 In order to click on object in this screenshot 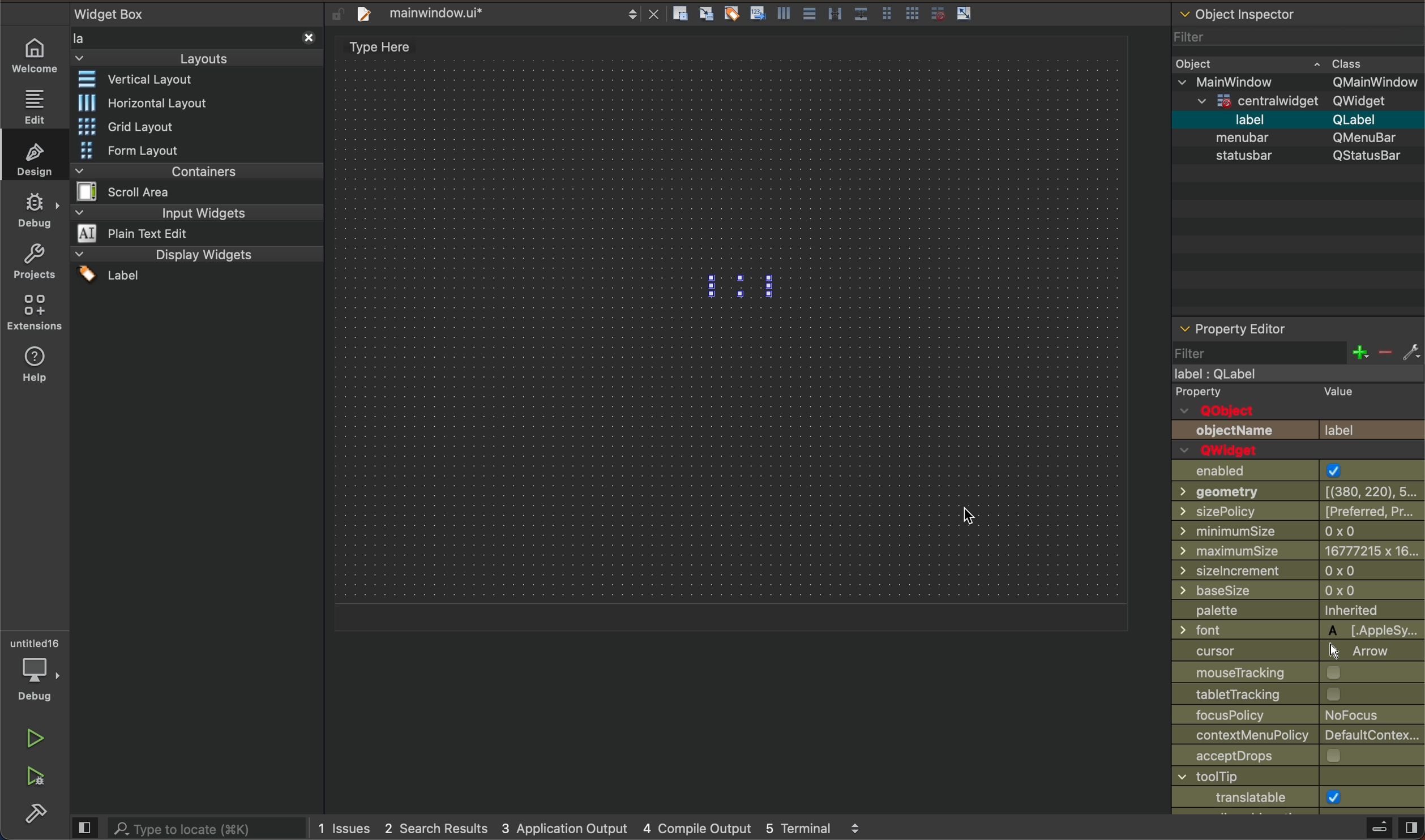, I will do `click(1274, 63)`.